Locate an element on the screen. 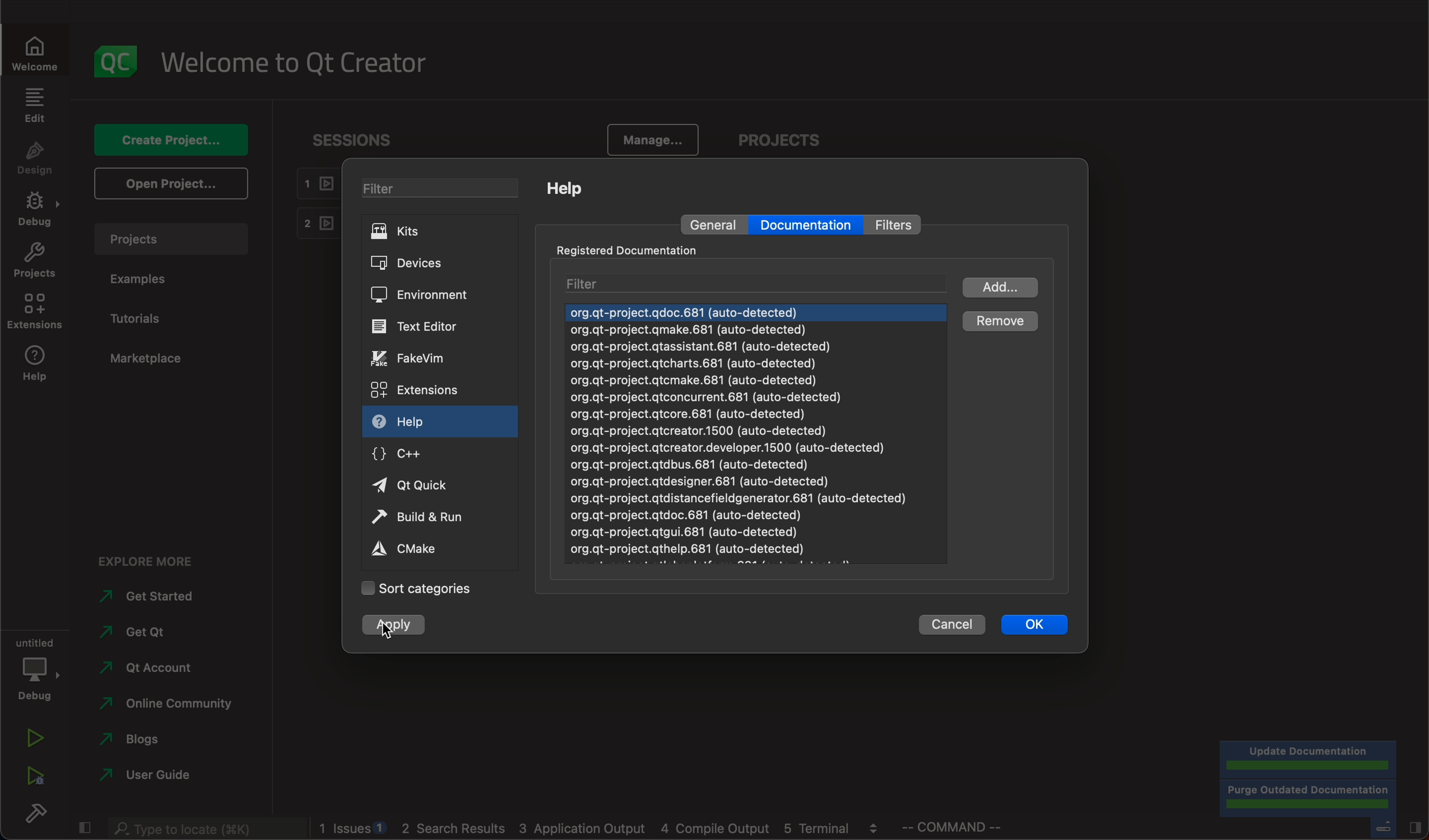 This screenshot has height=840, width=1429. blogs is located at coordinates (599, 830).